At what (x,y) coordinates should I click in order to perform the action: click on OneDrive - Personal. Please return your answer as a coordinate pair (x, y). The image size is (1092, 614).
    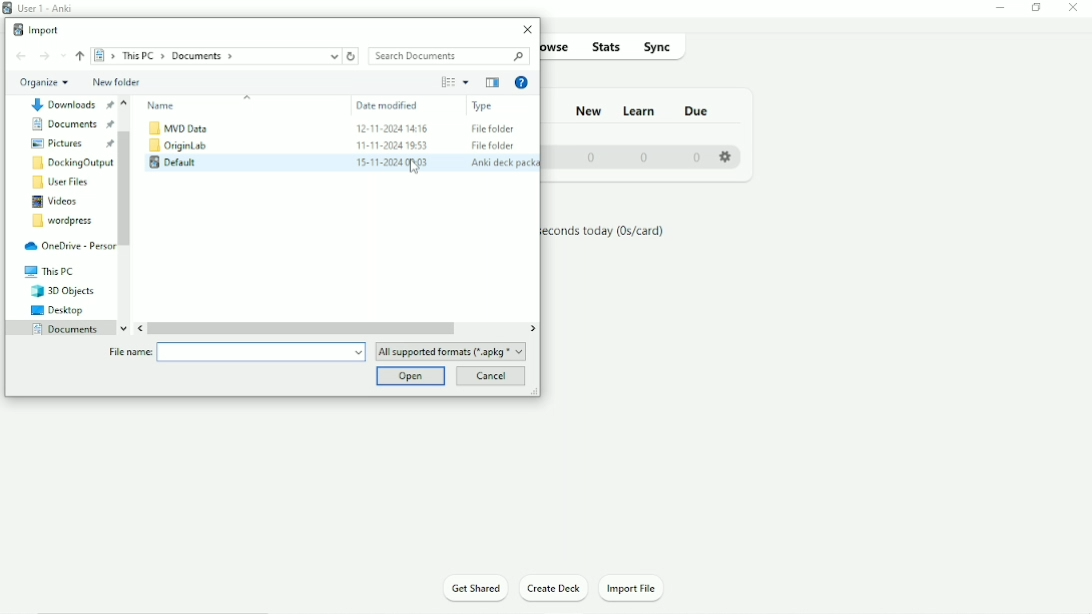
    Looking at the image, I should click on (68, 246).